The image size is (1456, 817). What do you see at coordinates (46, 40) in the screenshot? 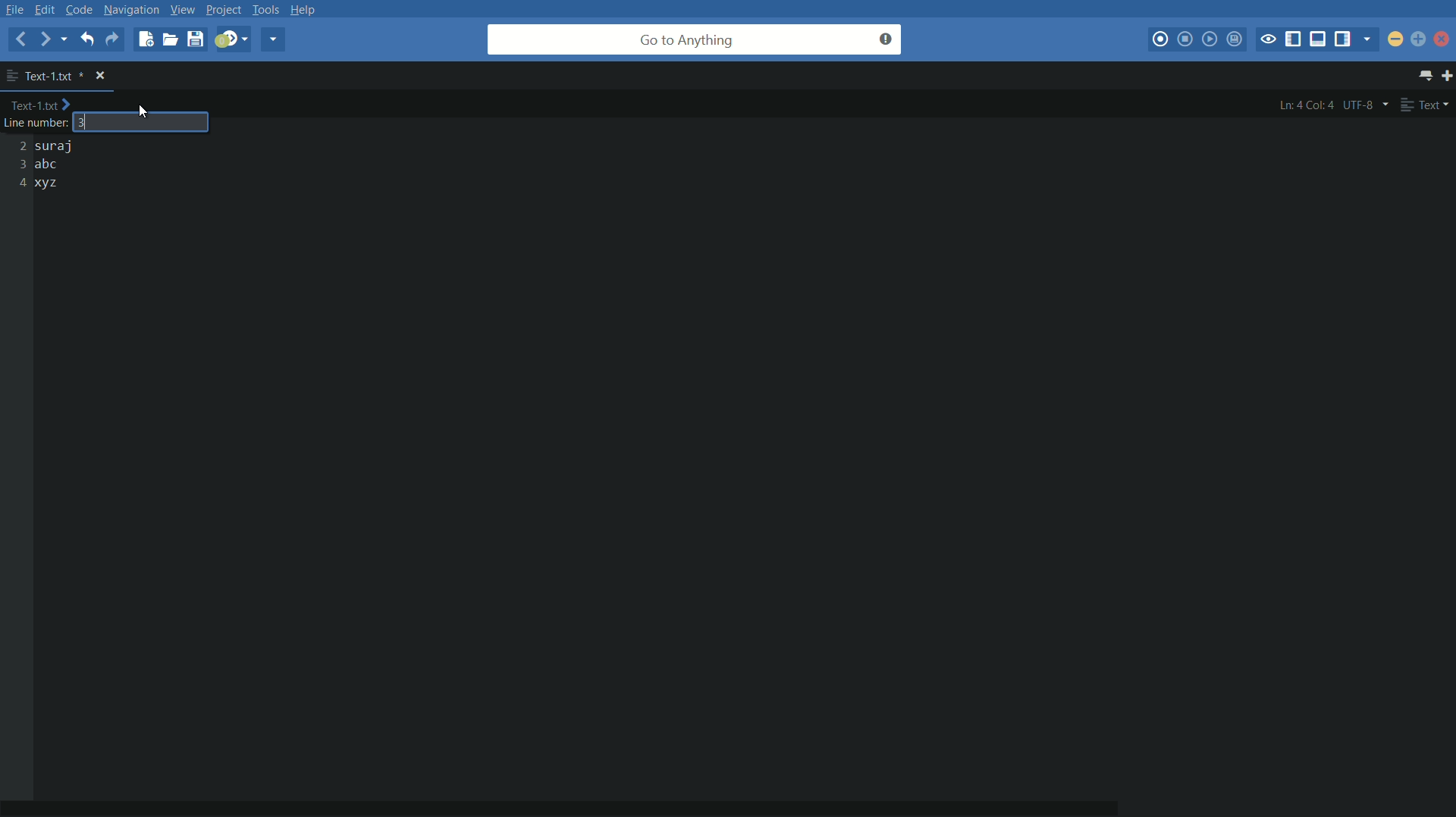
I see `forward` at bounding box center [46, 40].